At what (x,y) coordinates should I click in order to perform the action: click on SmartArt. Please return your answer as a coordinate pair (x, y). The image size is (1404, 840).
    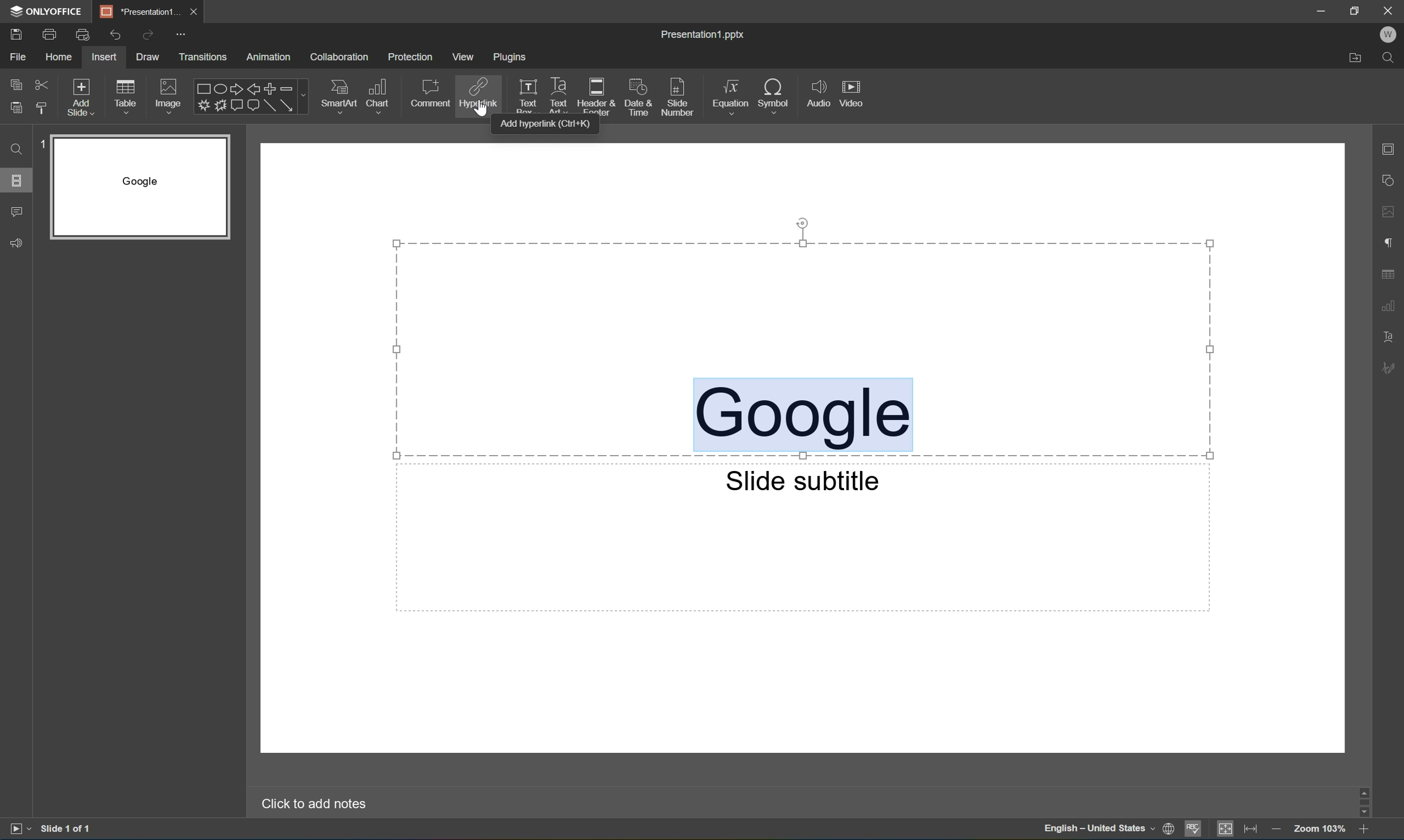
    Looking at the image, I should click on (340, 97).